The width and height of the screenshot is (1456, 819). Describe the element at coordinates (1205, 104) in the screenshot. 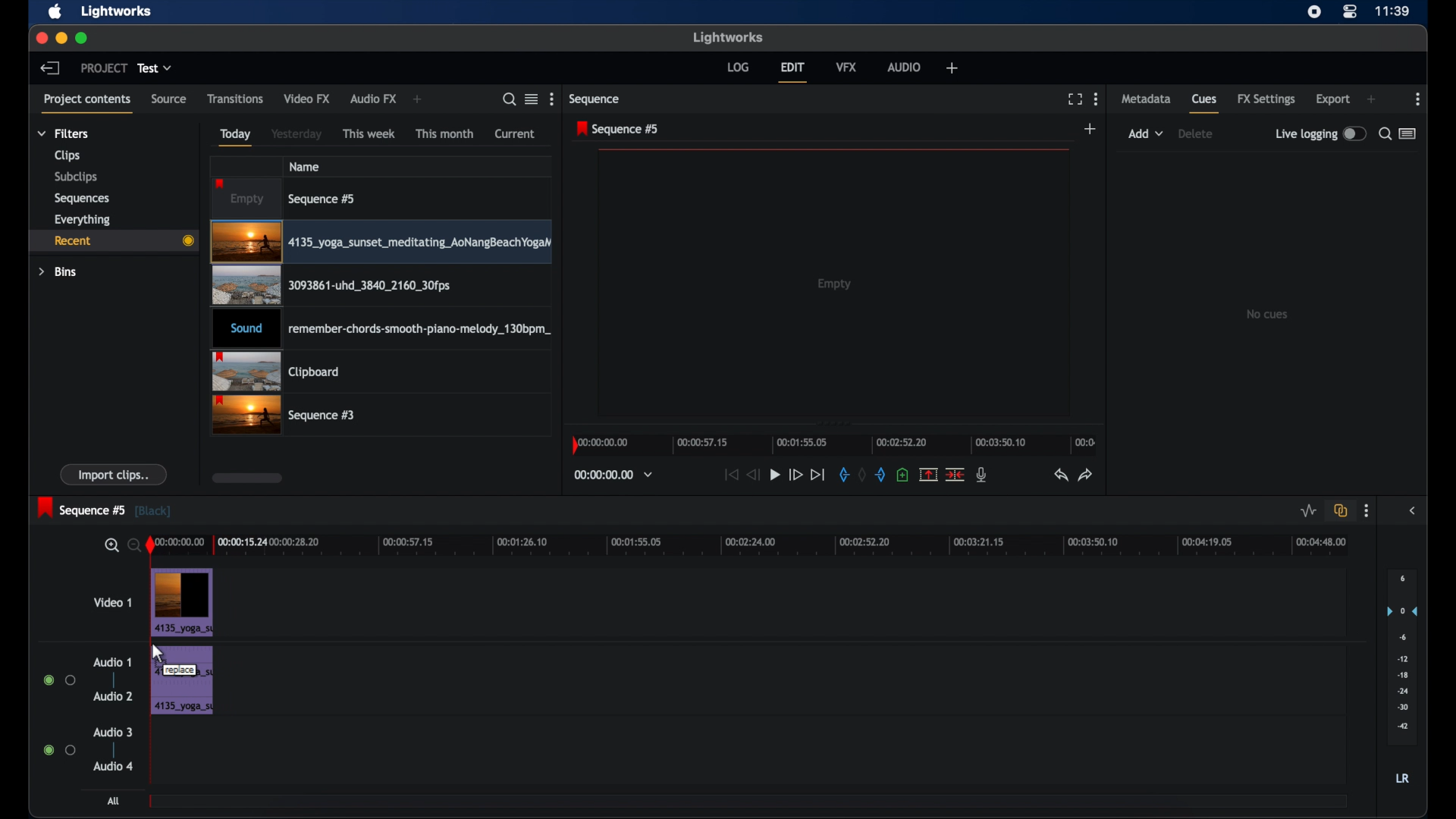

I see `cues` at that location.